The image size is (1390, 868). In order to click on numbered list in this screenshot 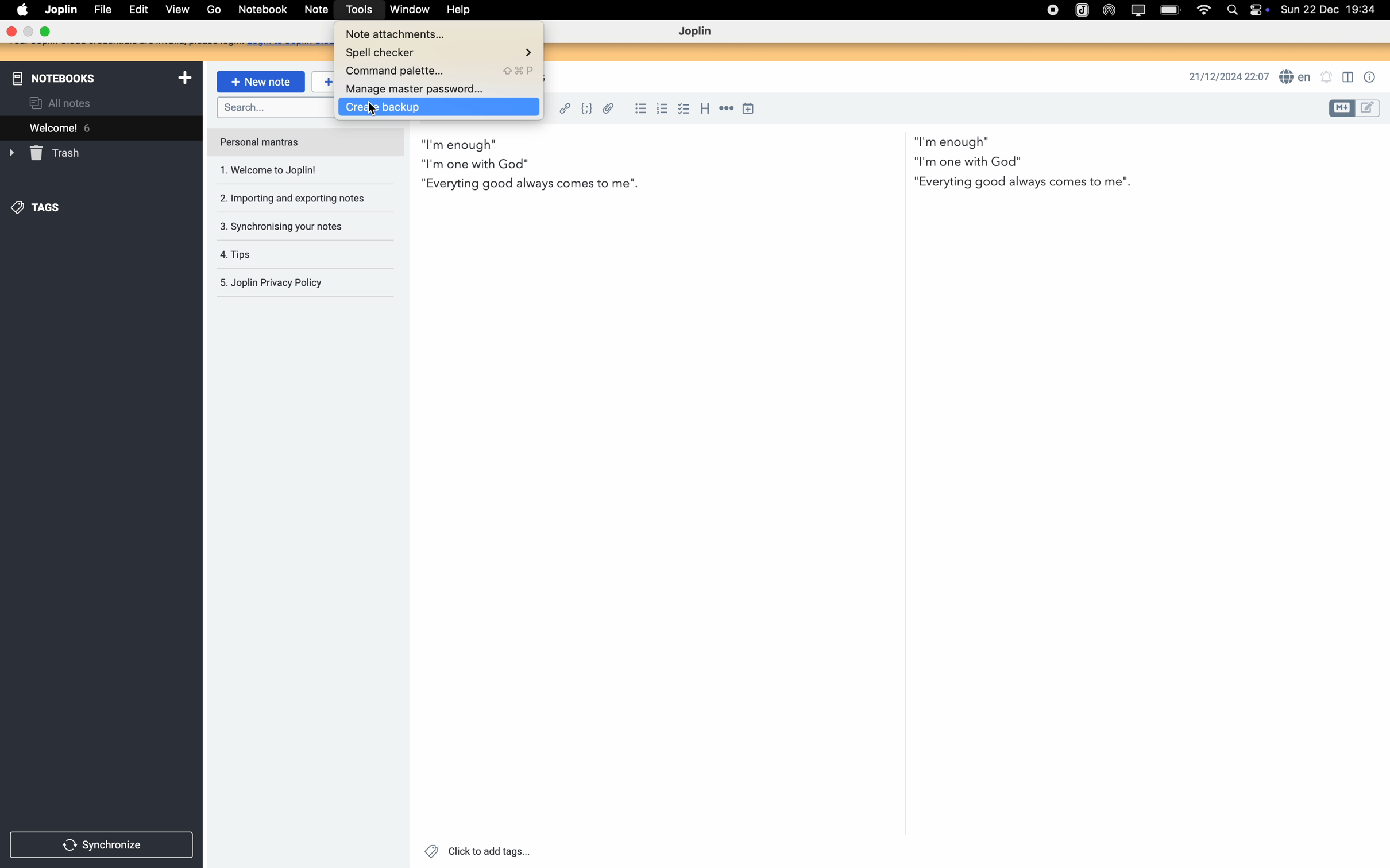, I will do `click(661, 108)`.